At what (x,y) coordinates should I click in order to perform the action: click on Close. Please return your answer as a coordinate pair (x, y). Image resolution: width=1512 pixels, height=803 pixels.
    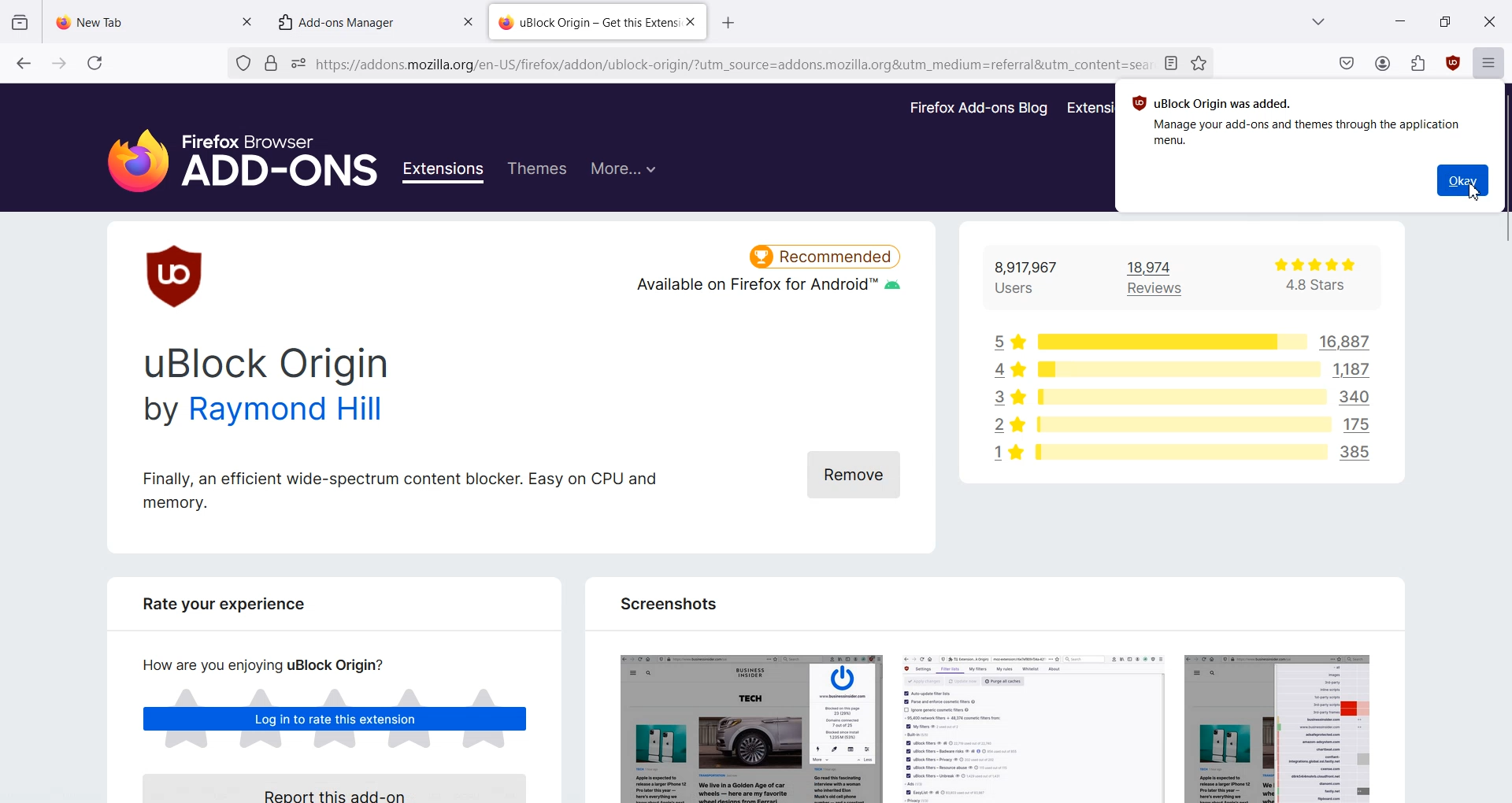
    Looking at the image, I should click on (1489, 20).